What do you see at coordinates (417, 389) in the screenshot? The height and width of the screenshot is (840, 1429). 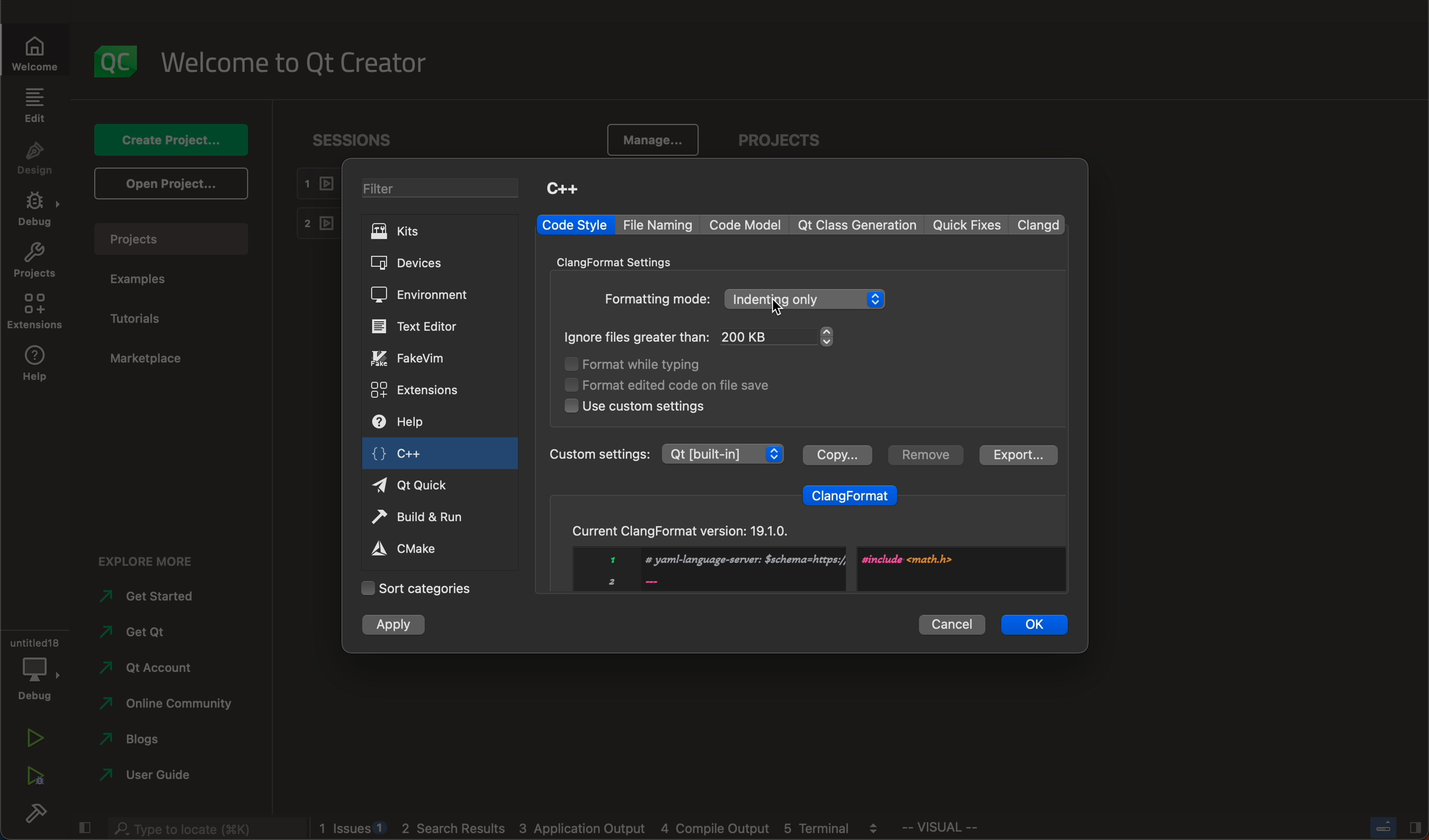 I see `extensions` at bounding box center [417, 389].